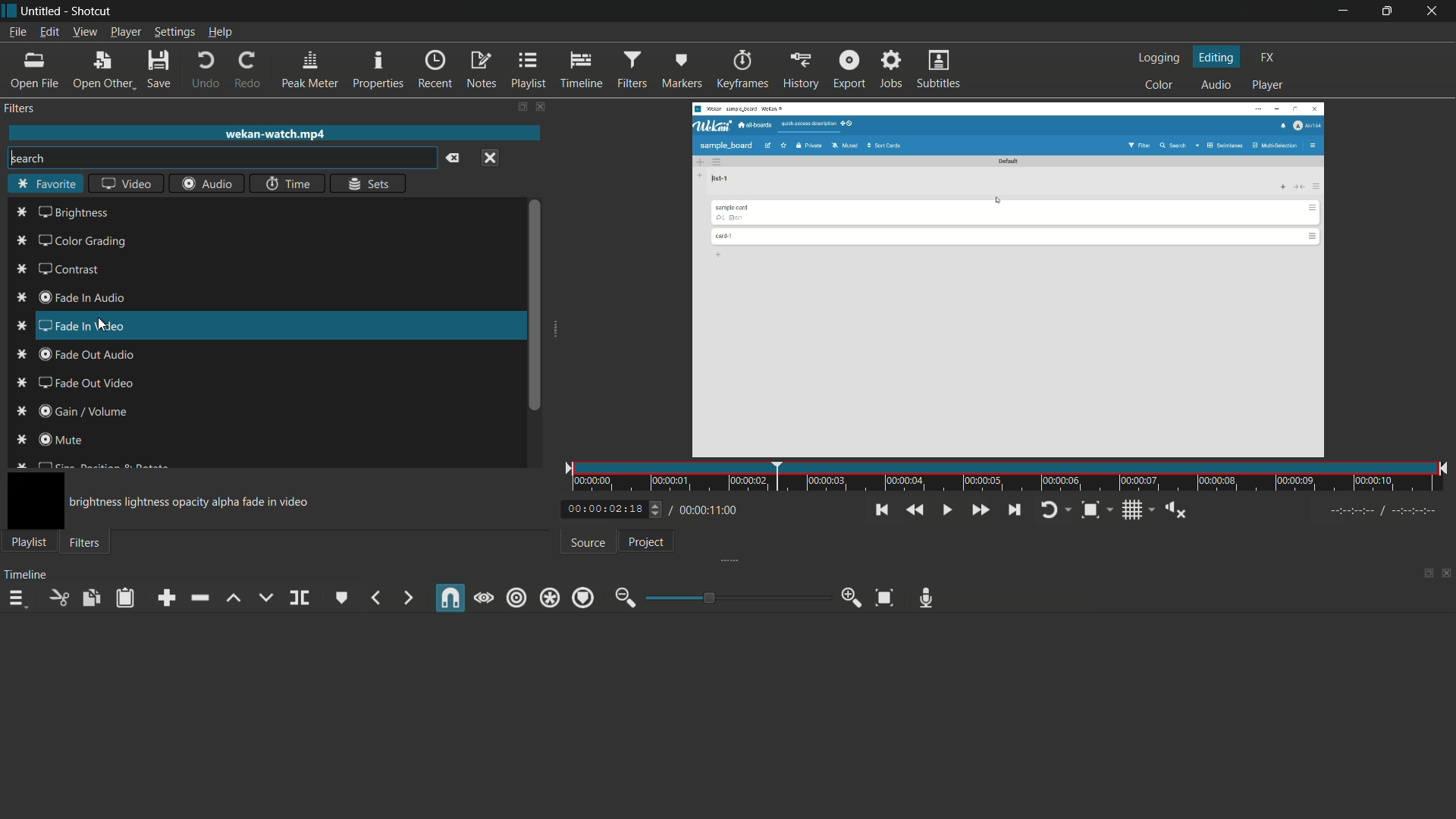 The width and height of the screenshot is (1456, 819). What do you see at coordinates (166, 598) in the screenshot?
I see `append` at bounding box center [166, 598].